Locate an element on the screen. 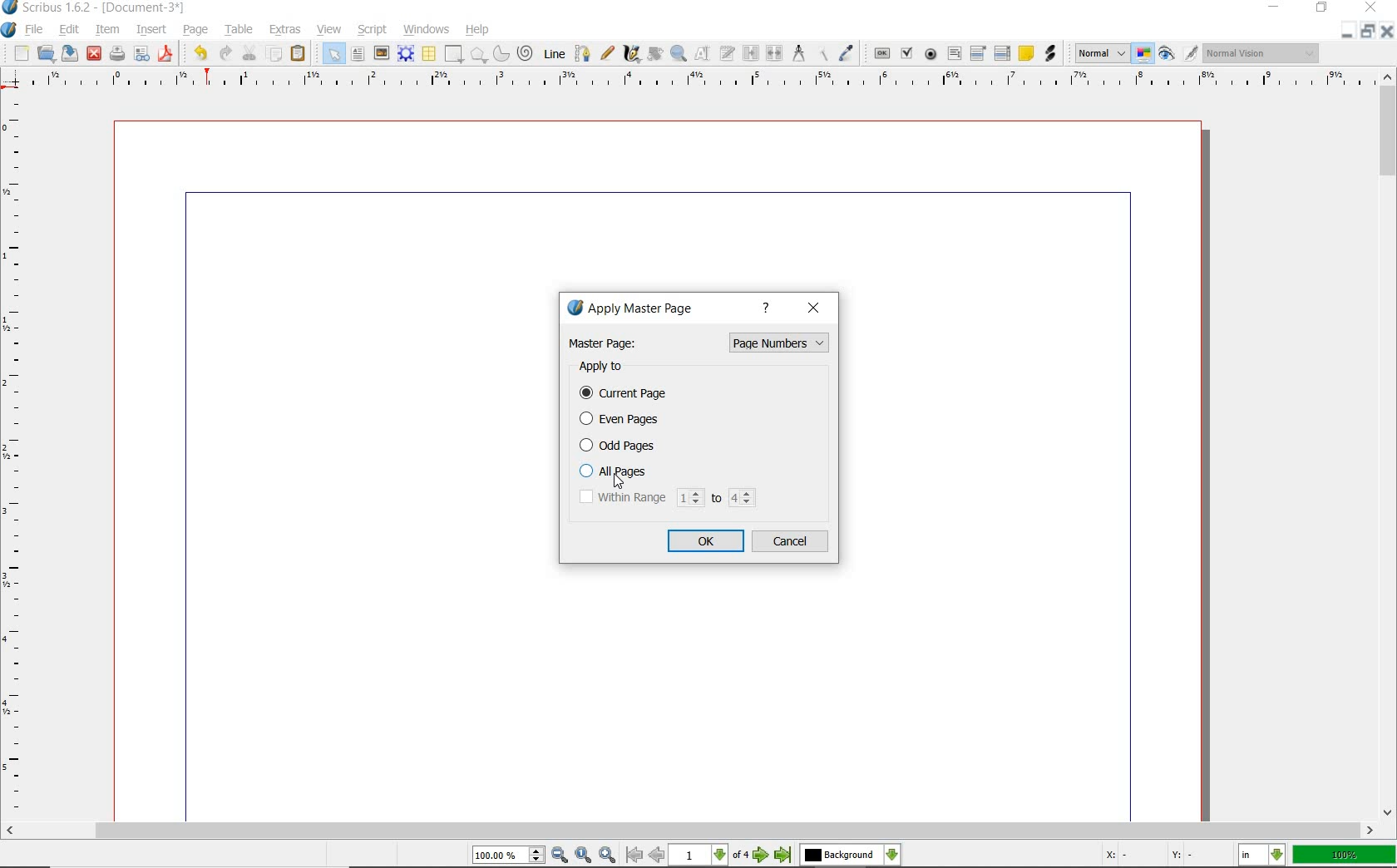  file is located at coordinates (36, 29).